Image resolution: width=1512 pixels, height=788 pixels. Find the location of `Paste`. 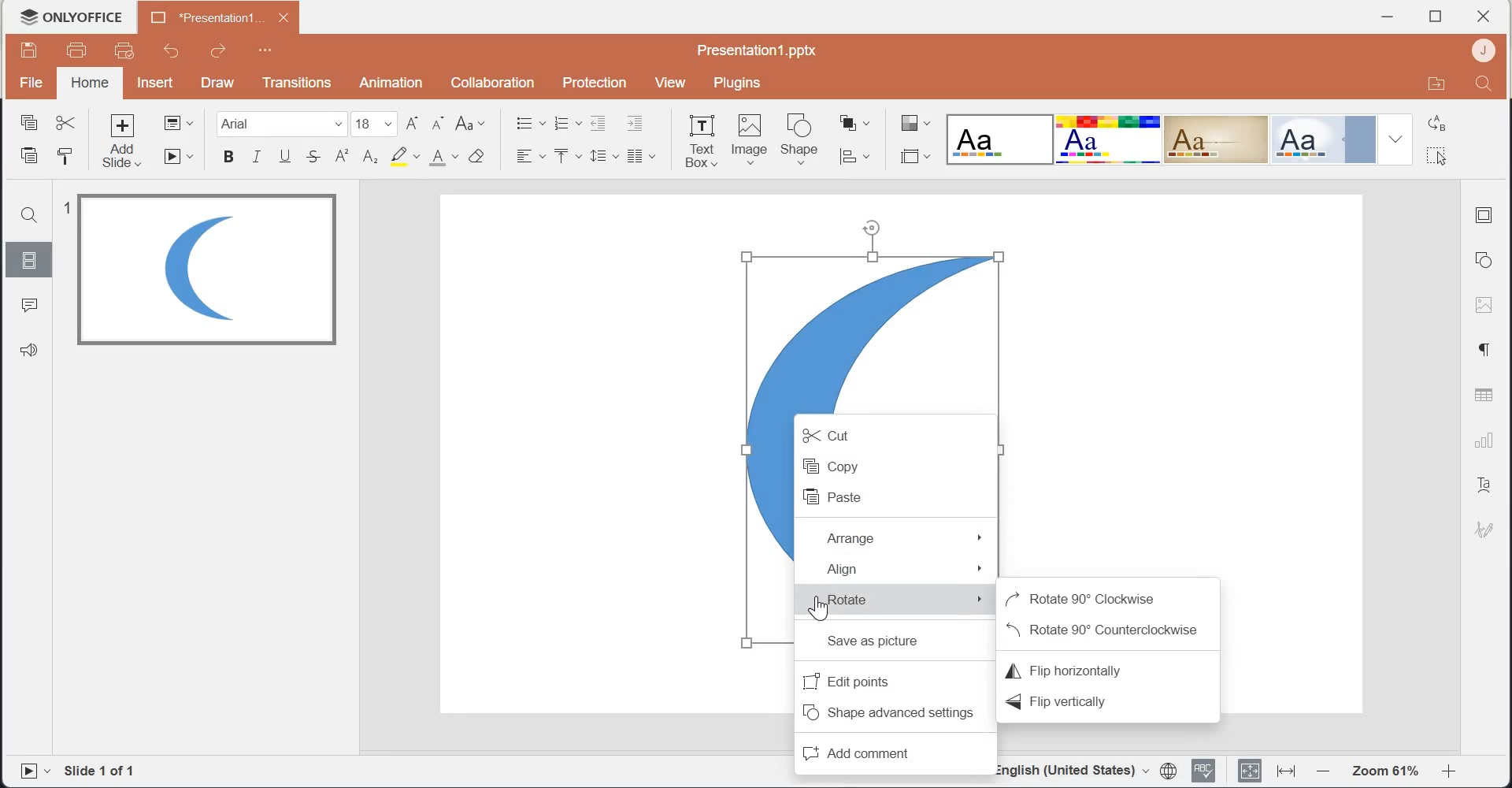

Paste is located at coordinates (29, 155).